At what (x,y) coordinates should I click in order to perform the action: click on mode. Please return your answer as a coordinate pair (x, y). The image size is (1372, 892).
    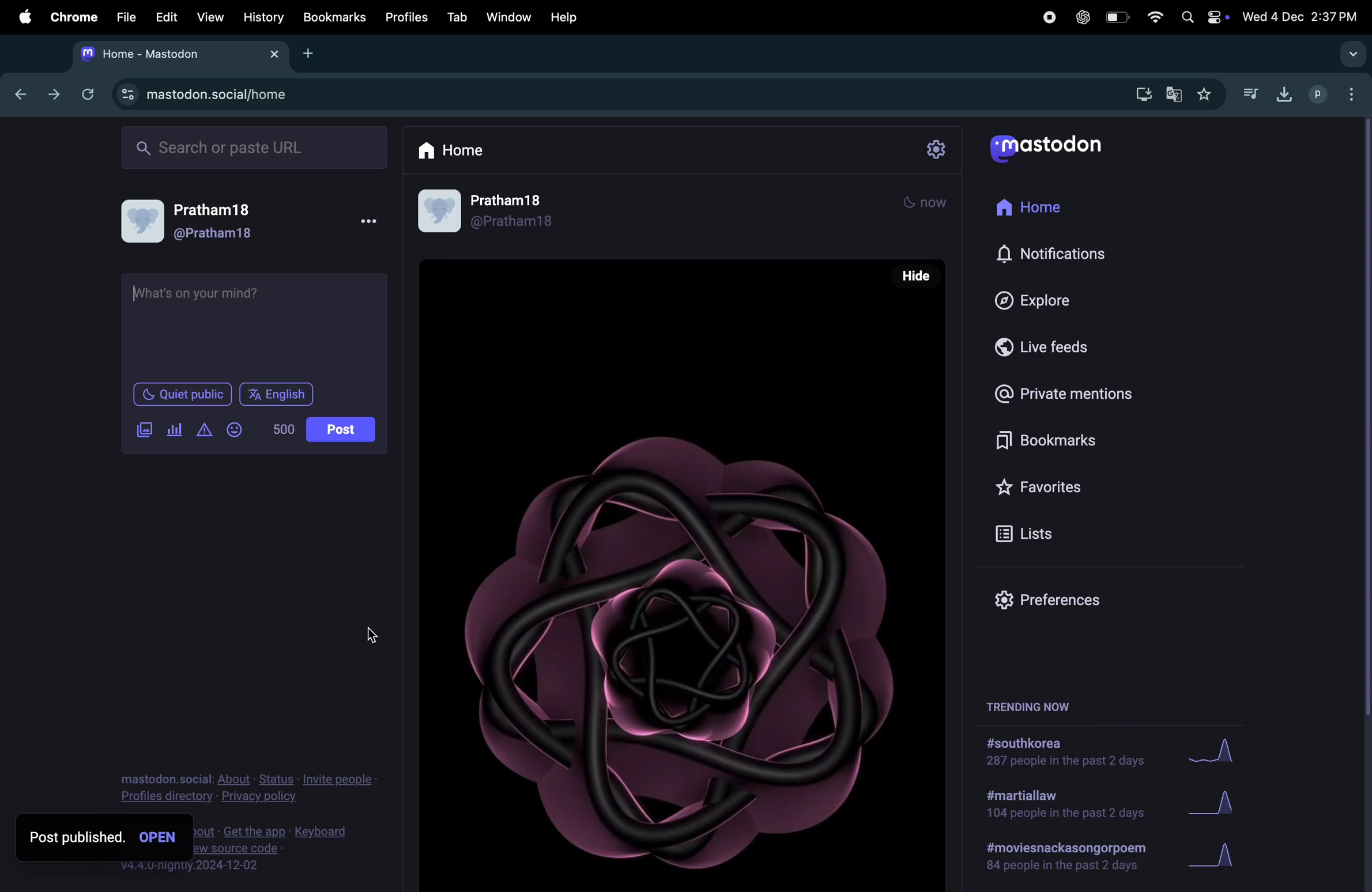
    Looking at the image, I should click on (924, 205).